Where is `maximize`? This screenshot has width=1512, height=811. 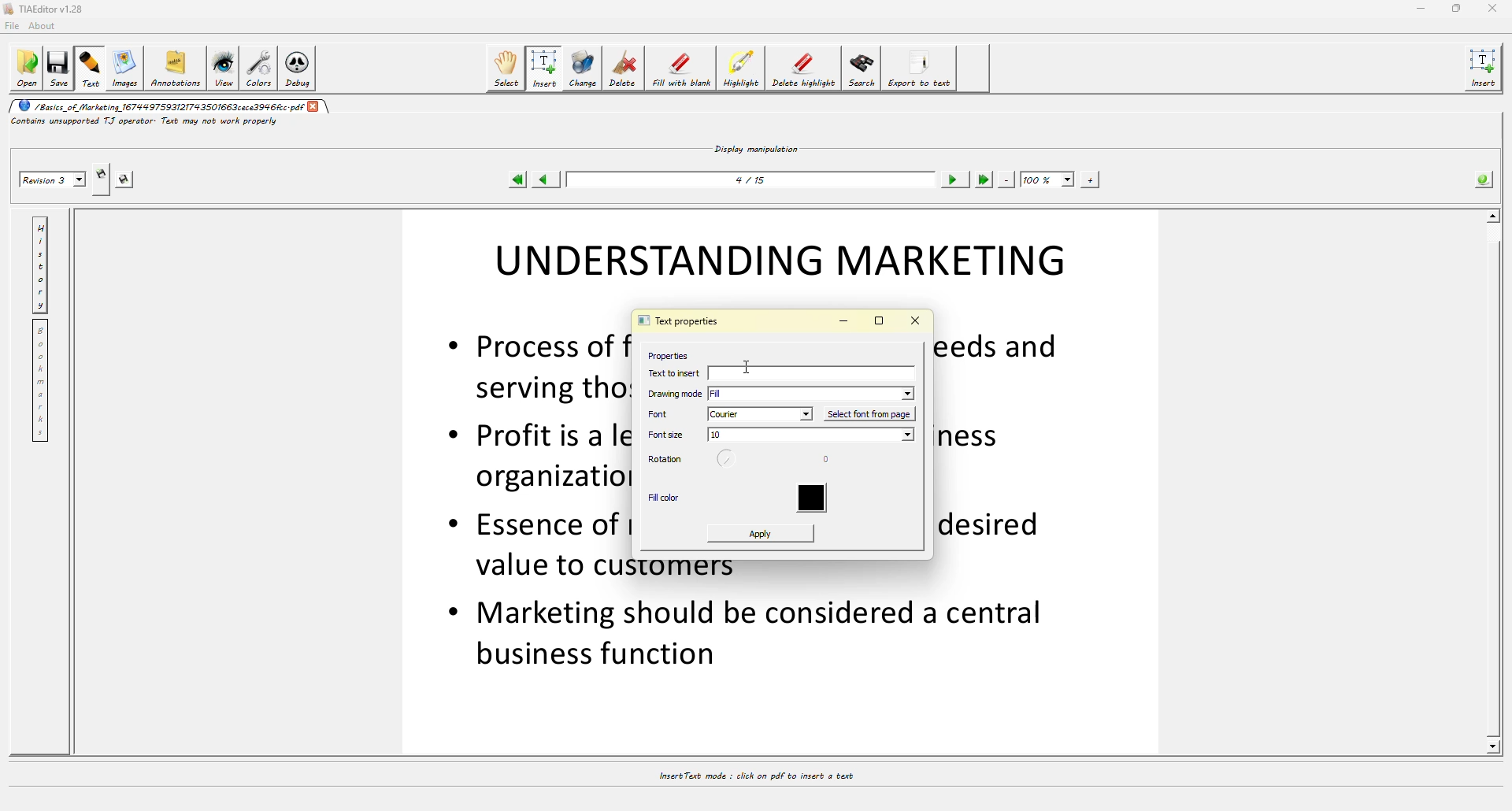 maximize is located at coordinates (879, 321).